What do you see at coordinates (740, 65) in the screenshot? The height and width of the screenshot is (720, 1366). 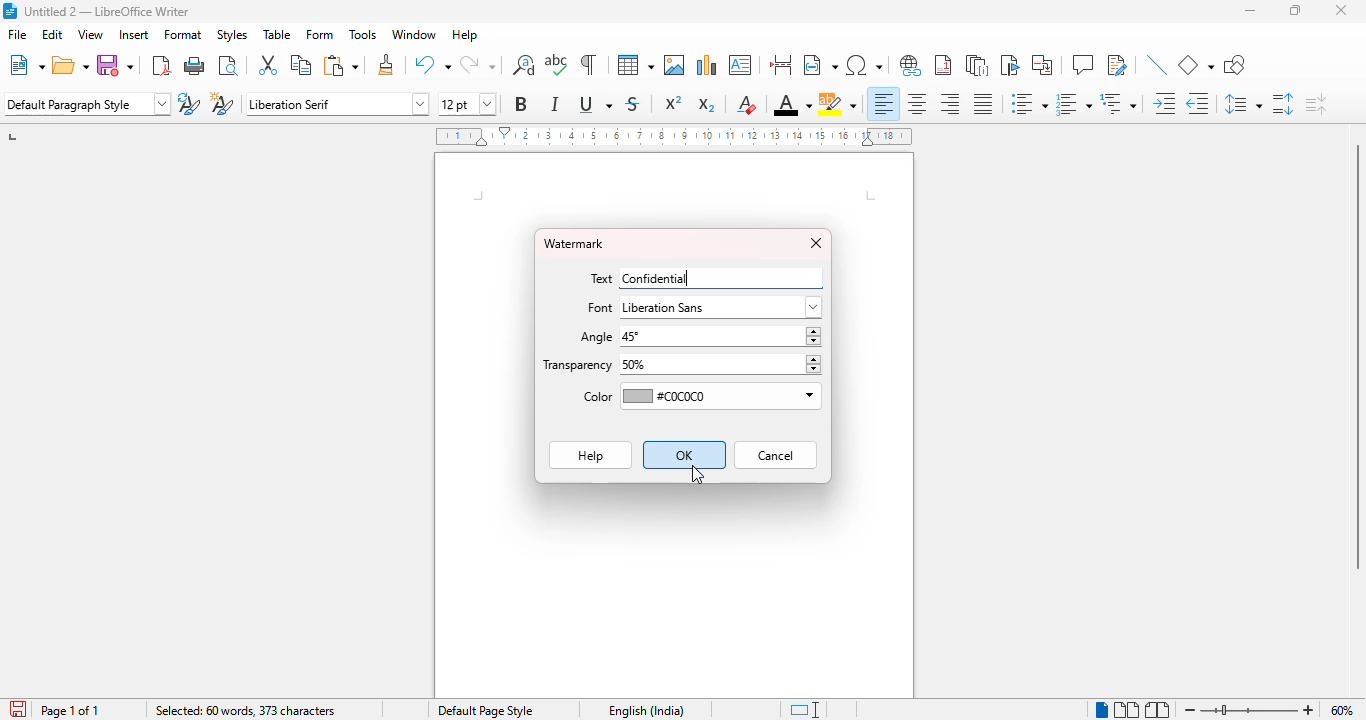 I see `insert text box` at bounding box center [740, 65].